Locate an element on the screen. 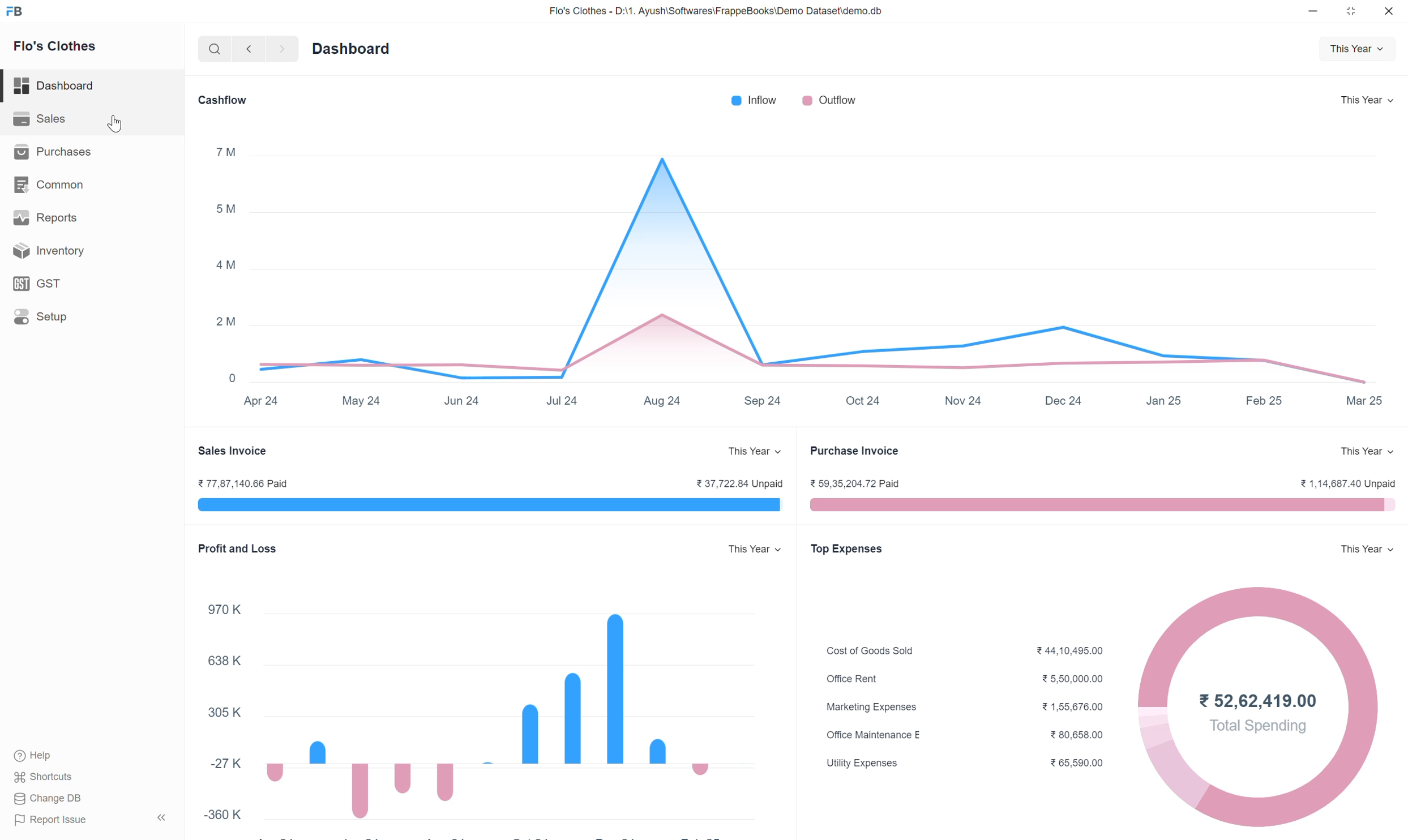 This screenshot has height=840, width=1408. This Year v is located at coordinates (1370, 100).